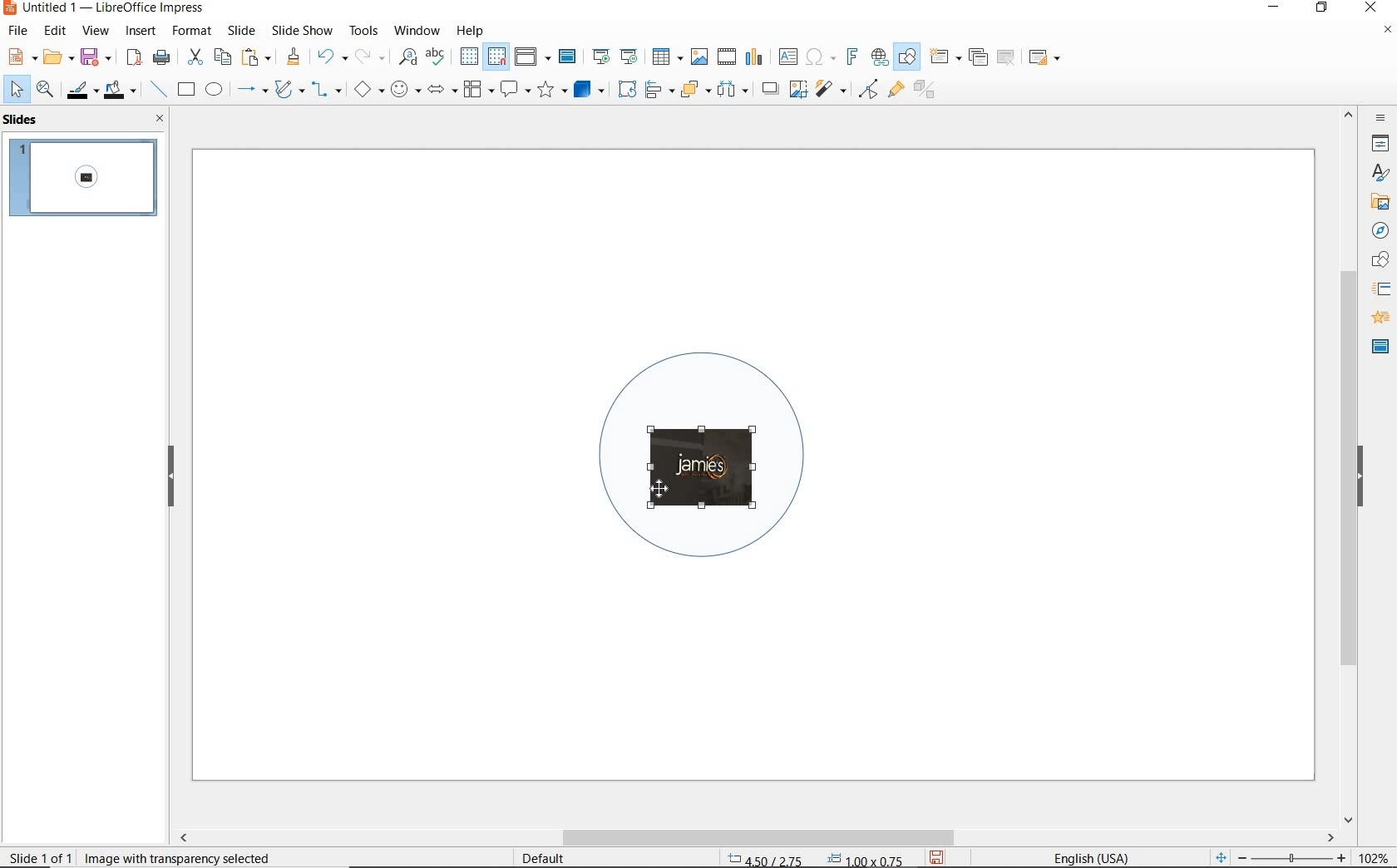 This screenshot has height=868, width=1397. I want to click on new, so click(20, 56).